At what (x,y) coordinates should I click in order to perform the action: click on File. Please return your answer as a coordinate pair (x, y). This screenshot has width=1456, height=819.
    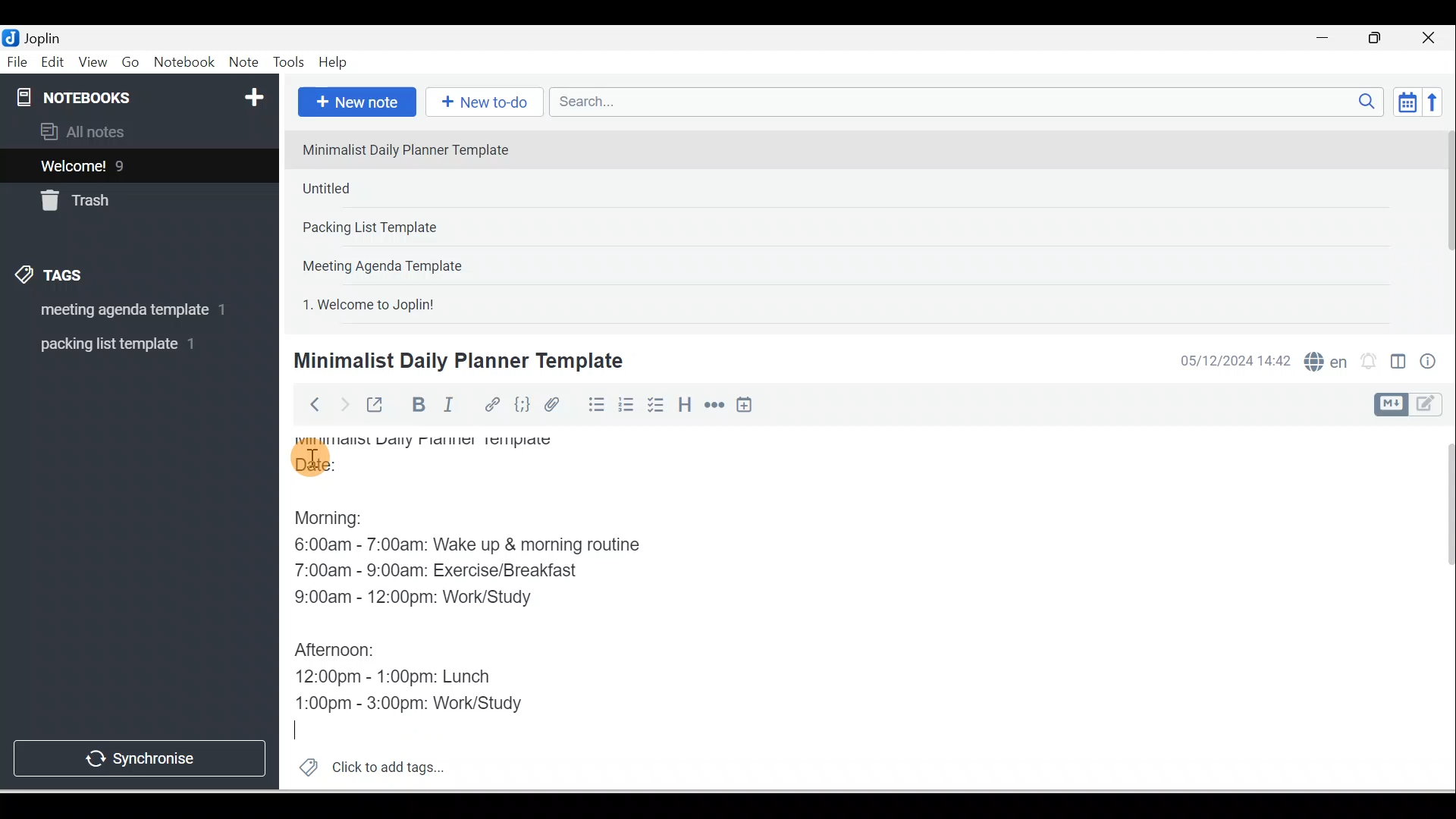
    Looking at the image, I should click on (18, 61).